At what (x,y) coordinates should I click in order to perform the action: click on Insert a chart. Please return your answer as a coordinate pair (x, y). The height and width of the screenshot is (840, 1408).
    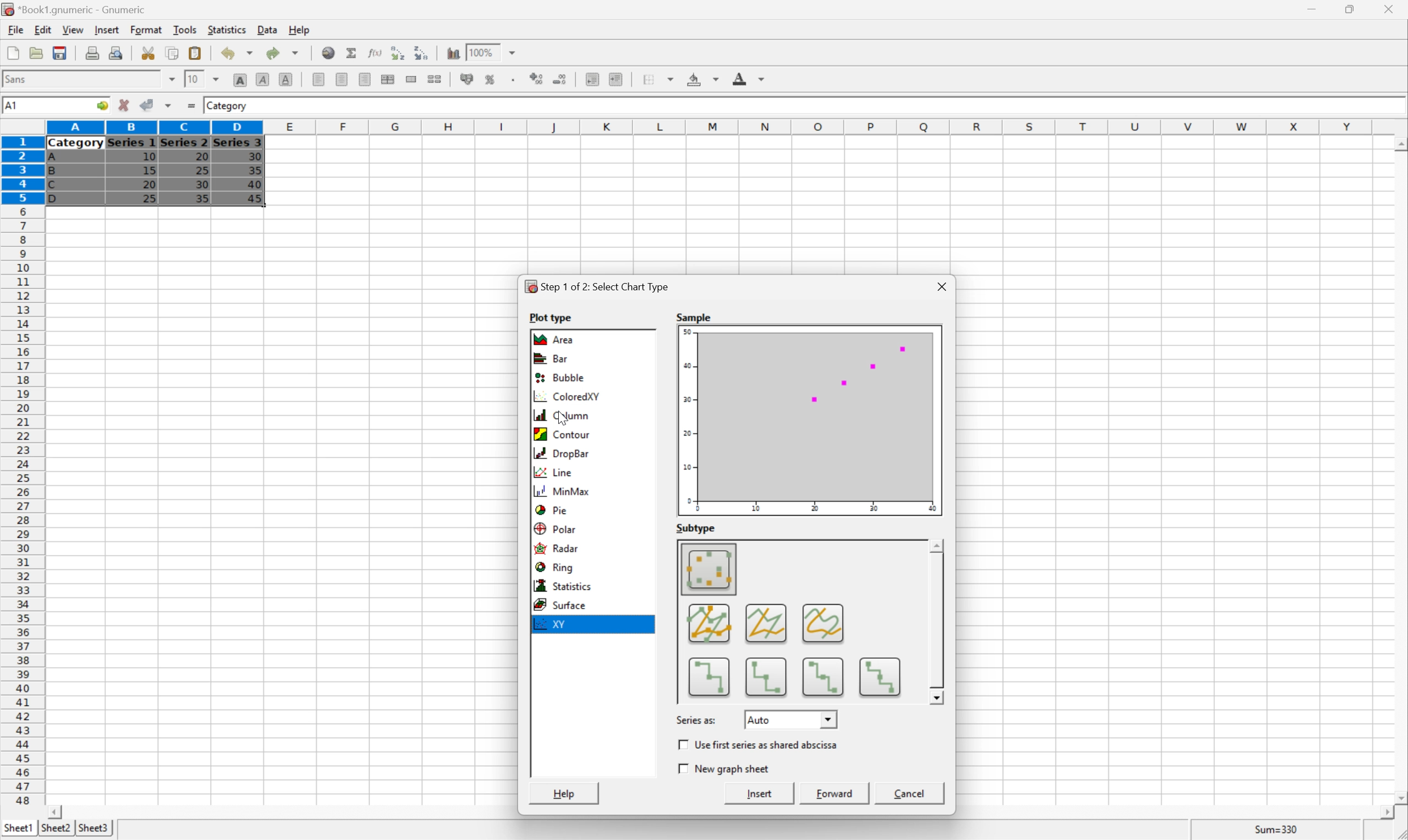
    Looking at the image, I should click on (452, 53).